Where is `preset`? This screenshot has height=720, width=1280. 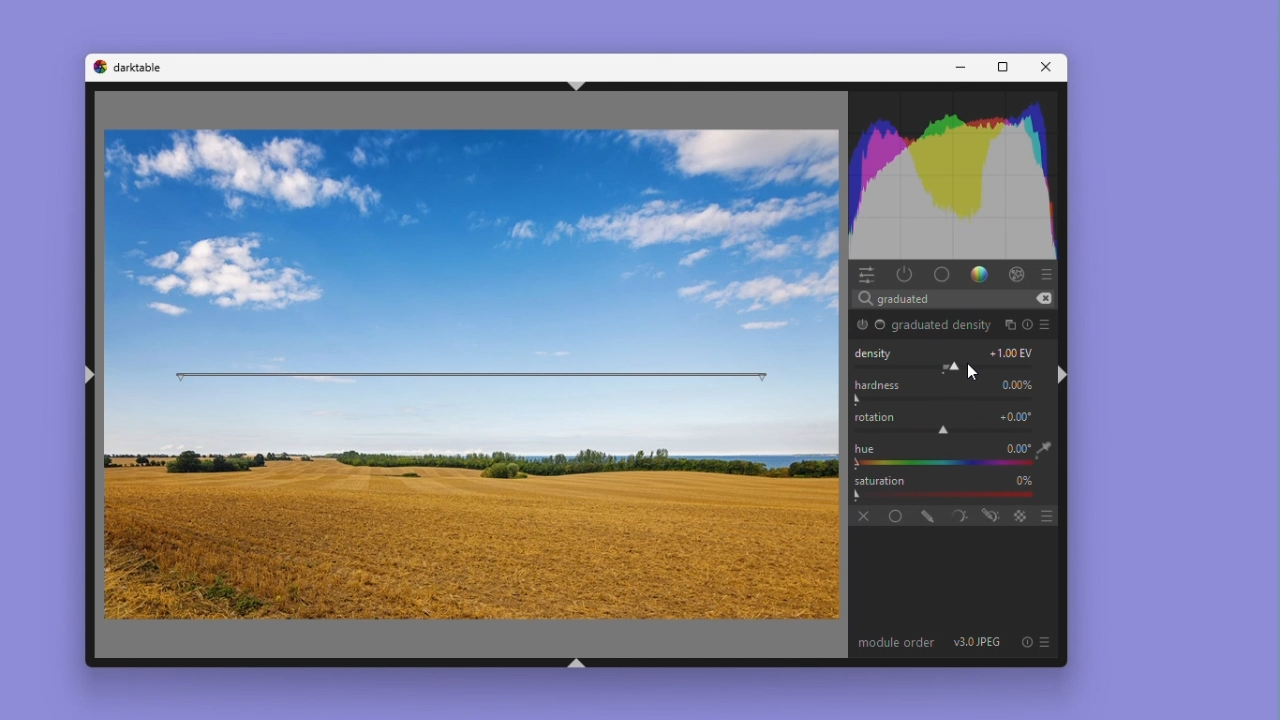 preset is located at coordinates (1048, 324).